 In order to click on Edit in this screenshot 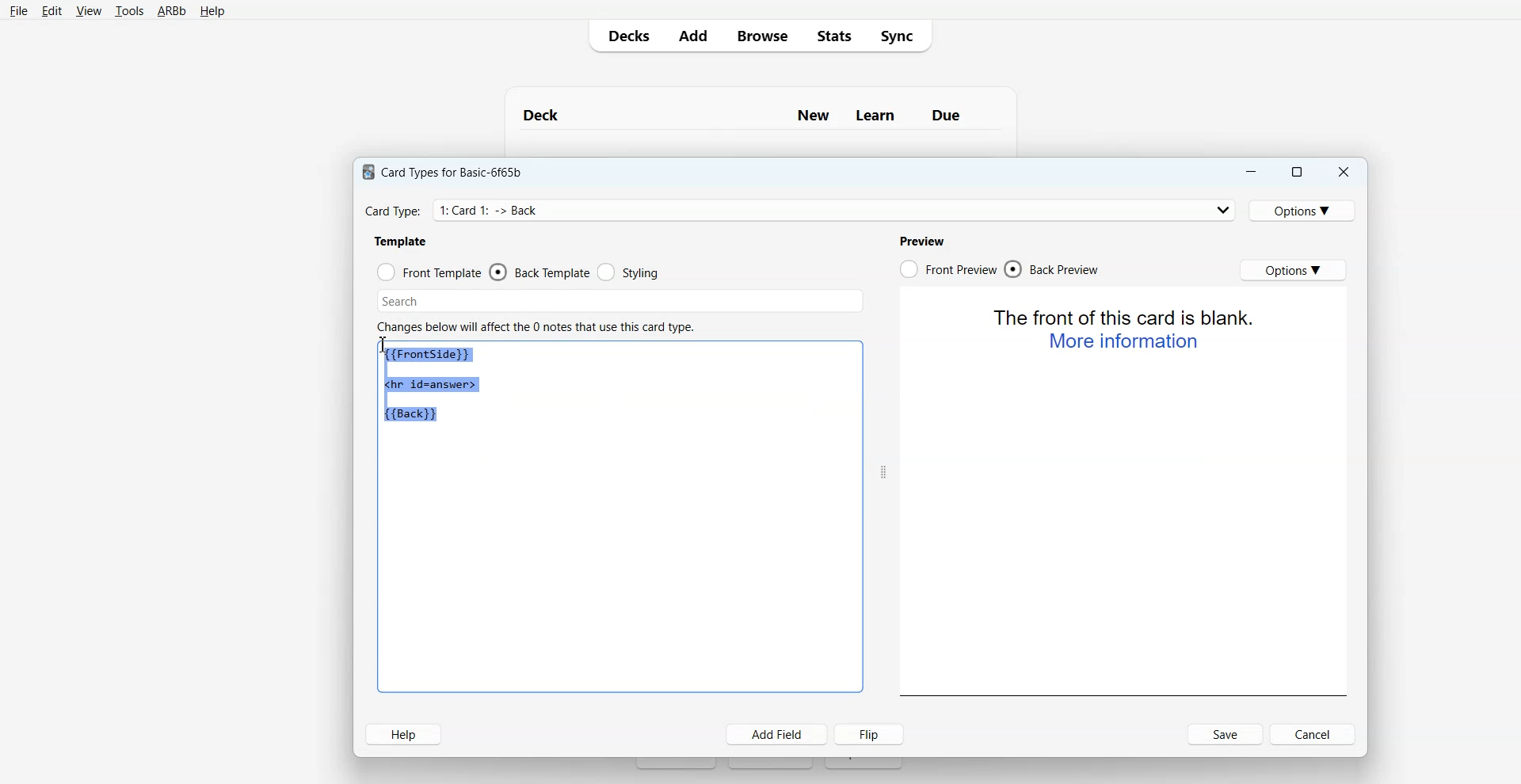, I will do `click(51, 10)`.